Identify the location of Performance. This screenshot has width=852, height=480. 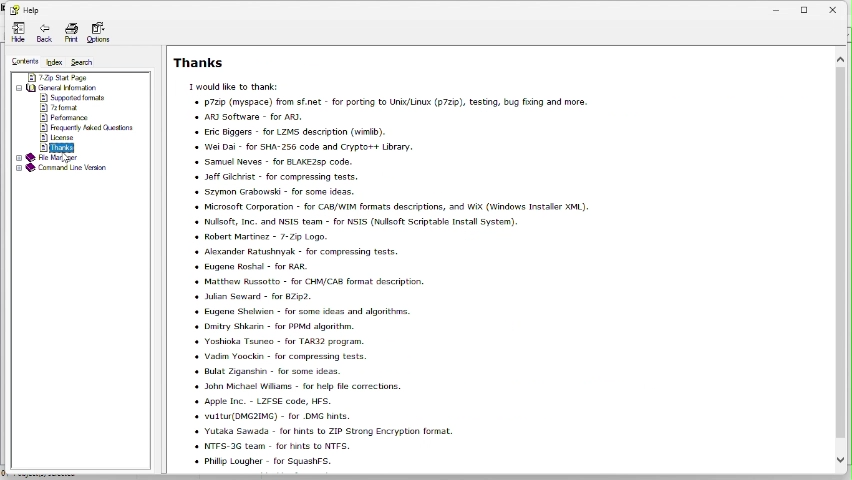
(65, 118).